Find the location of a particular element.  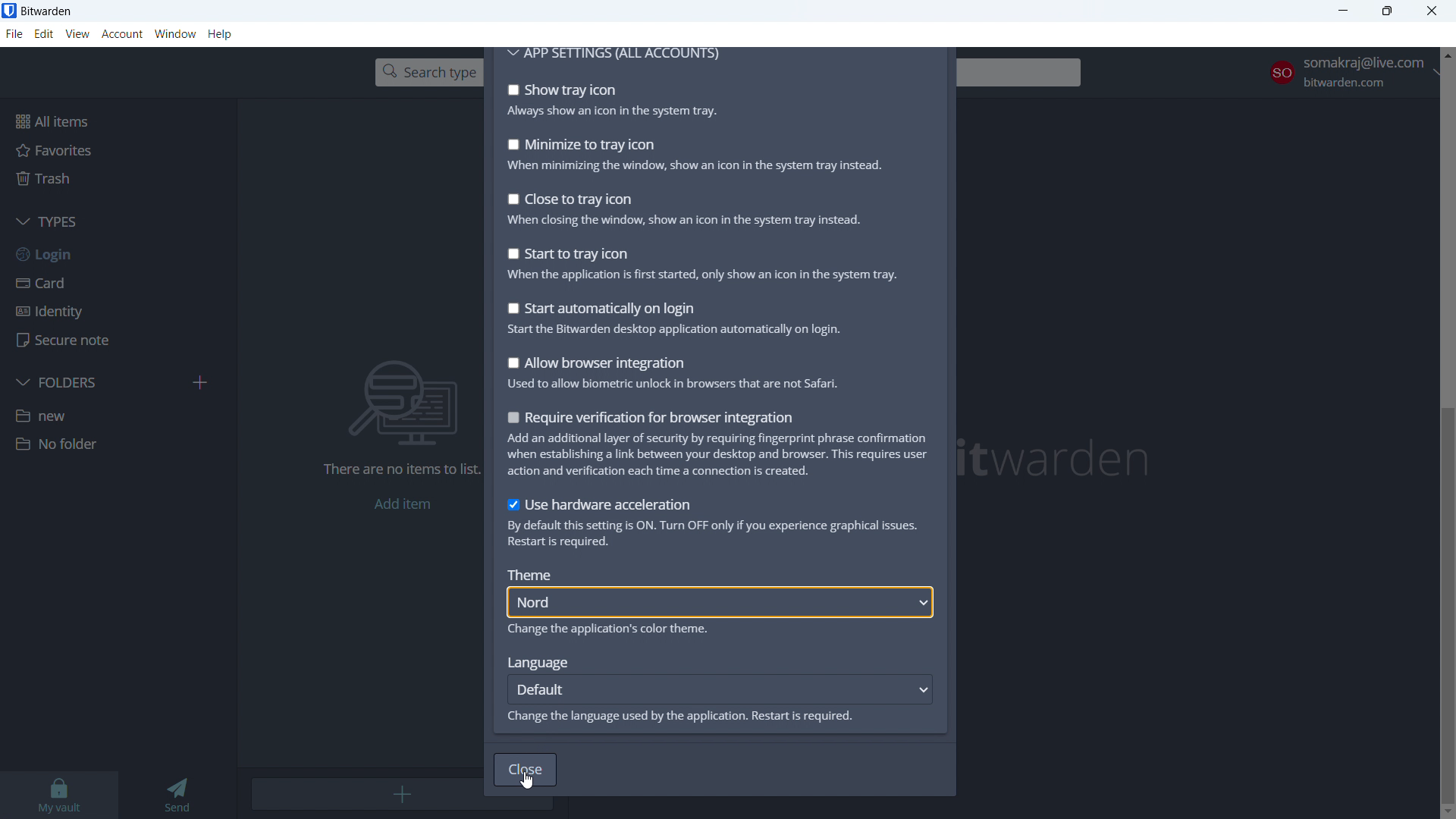

edit is located at coordinates (45, 34).